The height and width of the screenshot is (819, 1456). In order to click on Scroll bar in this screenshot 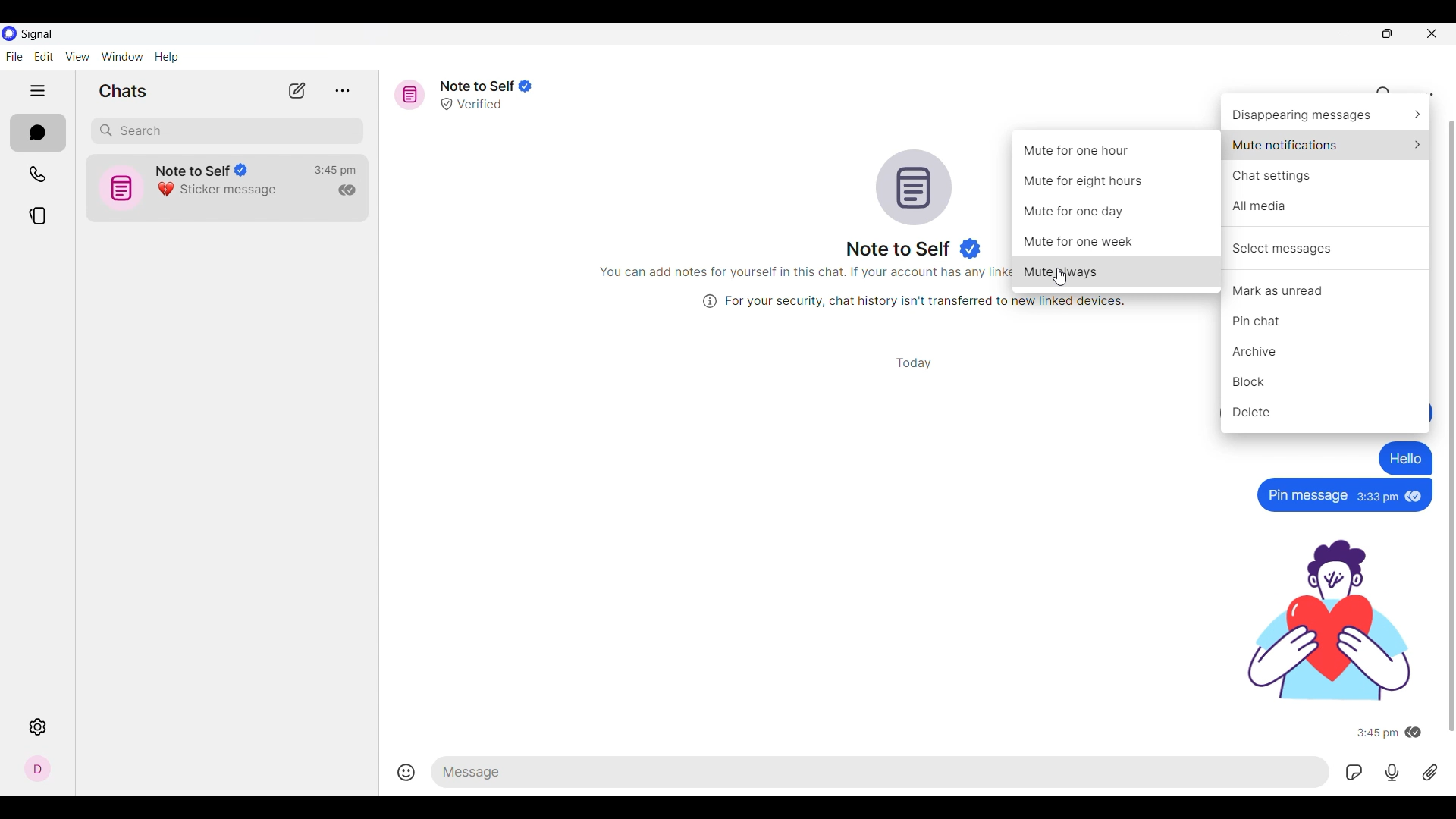, I will do `click(1447, 427)`.